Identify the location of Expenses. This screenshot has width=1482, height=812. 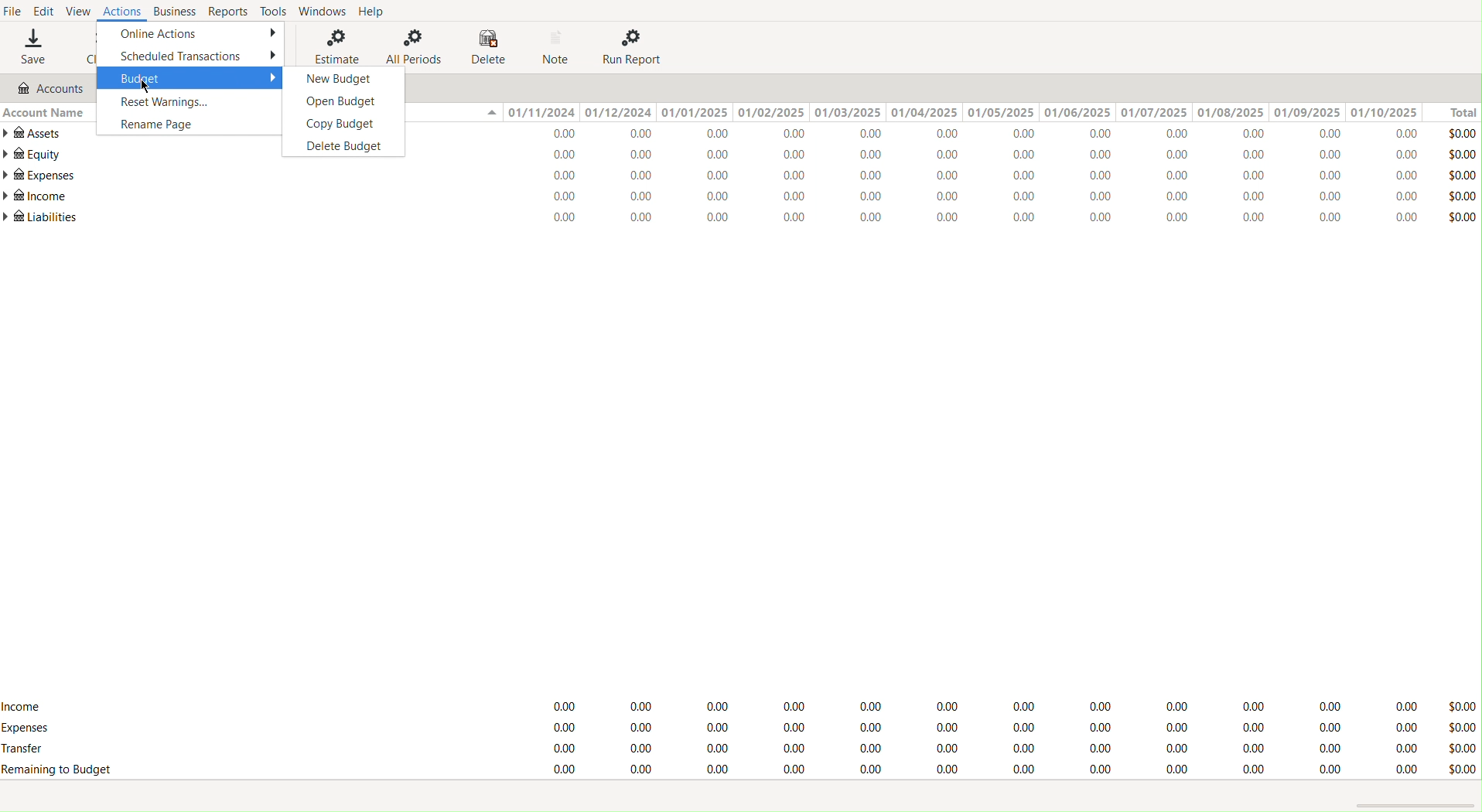
(39, 176).